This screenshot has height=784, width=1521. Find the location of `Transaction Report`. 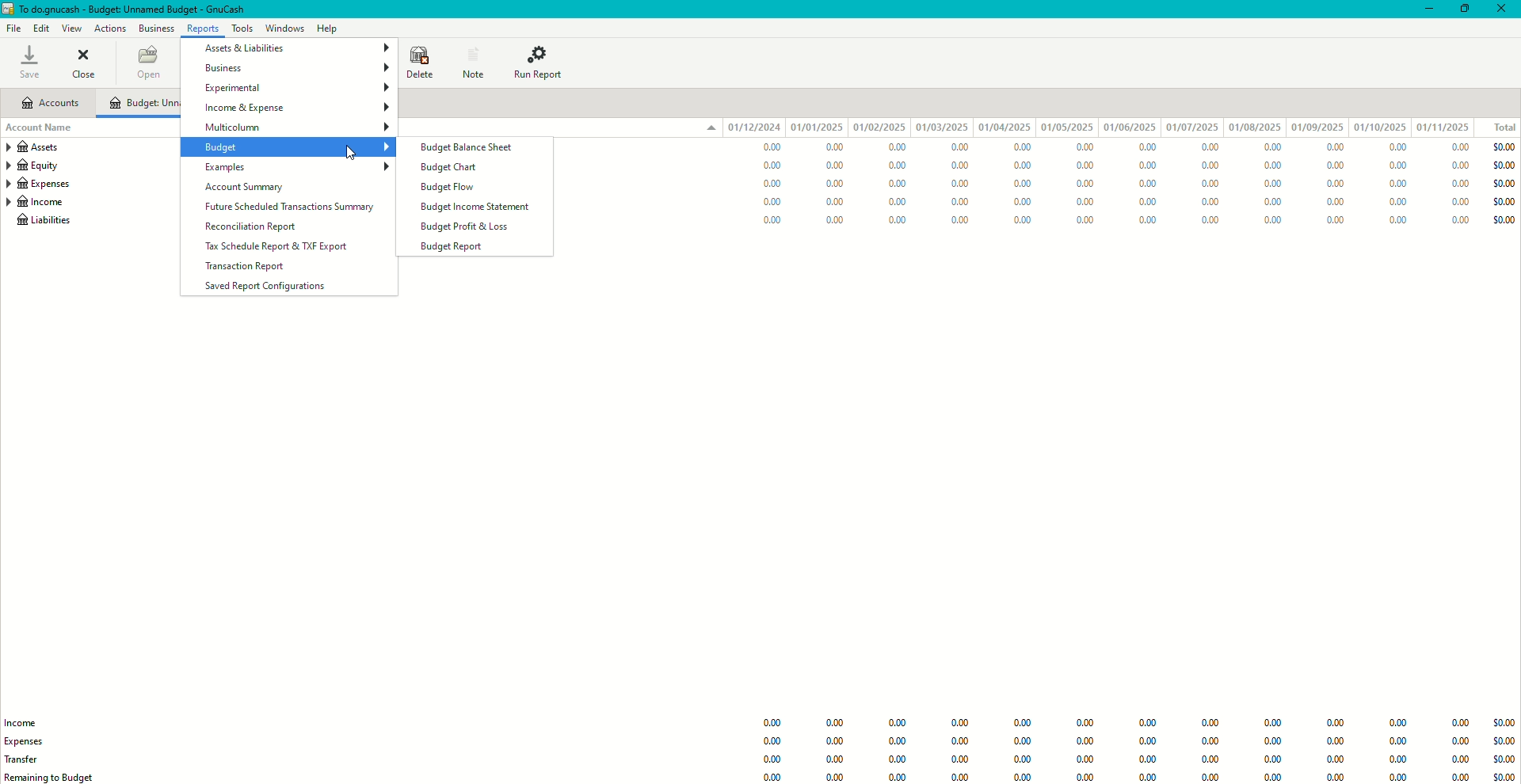

Transaction Report is located at coordinates (247, 266).